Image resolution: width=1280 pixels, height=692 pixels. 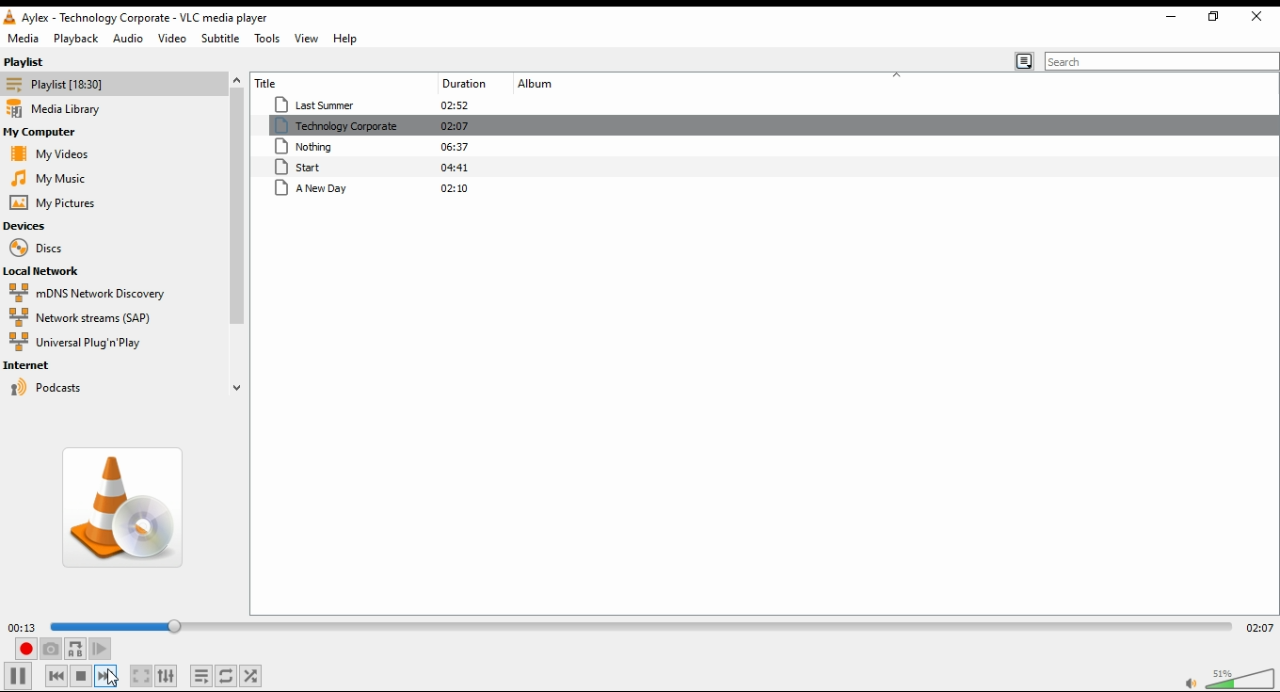 What do you see at coordinates (1260, 627) in the screenshot?
I see `total/remaining time` at bounding box center [1260, 627].